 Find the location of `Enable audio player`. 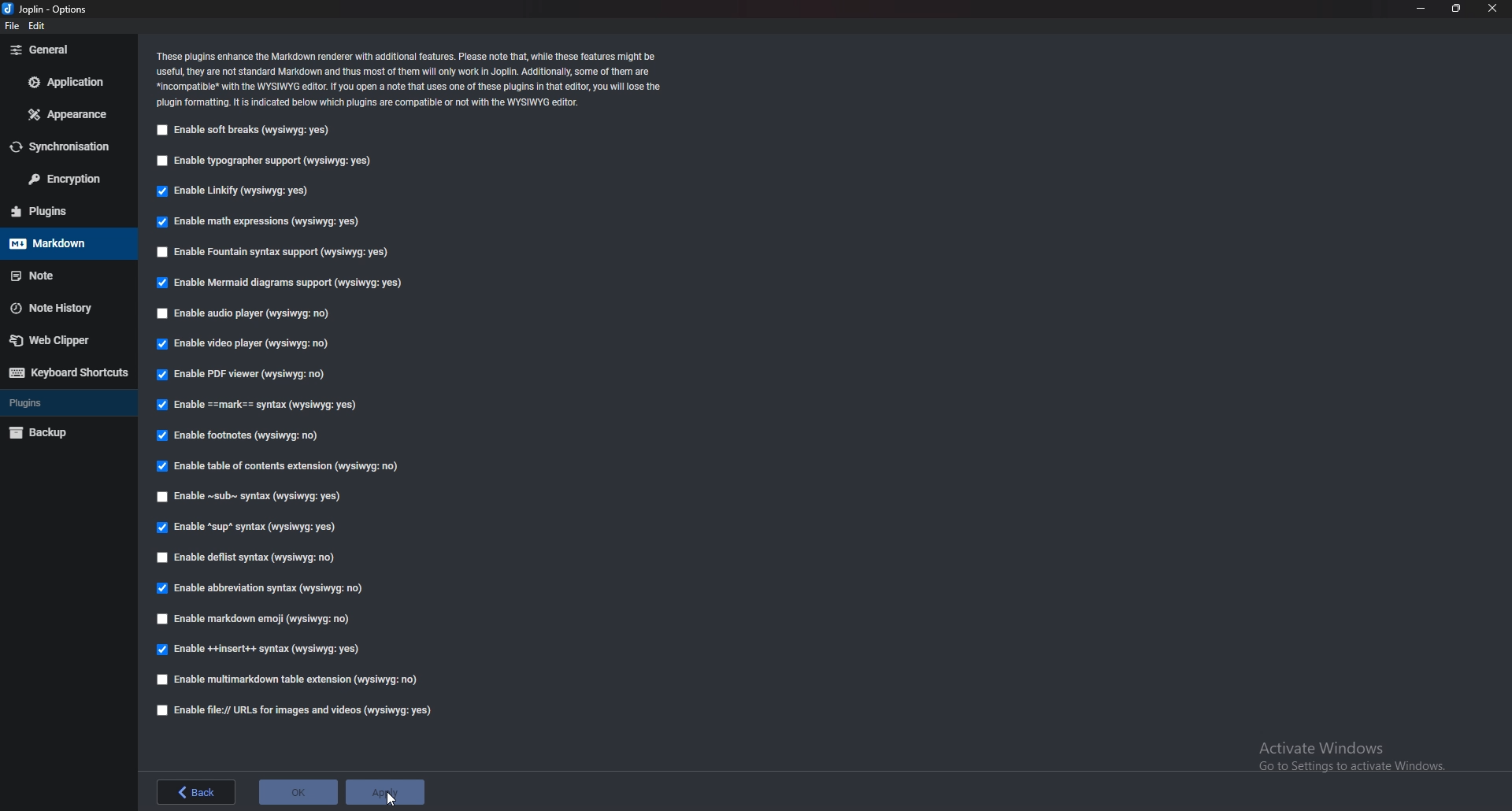

Enable audio player is located at coordinates (246, 313).